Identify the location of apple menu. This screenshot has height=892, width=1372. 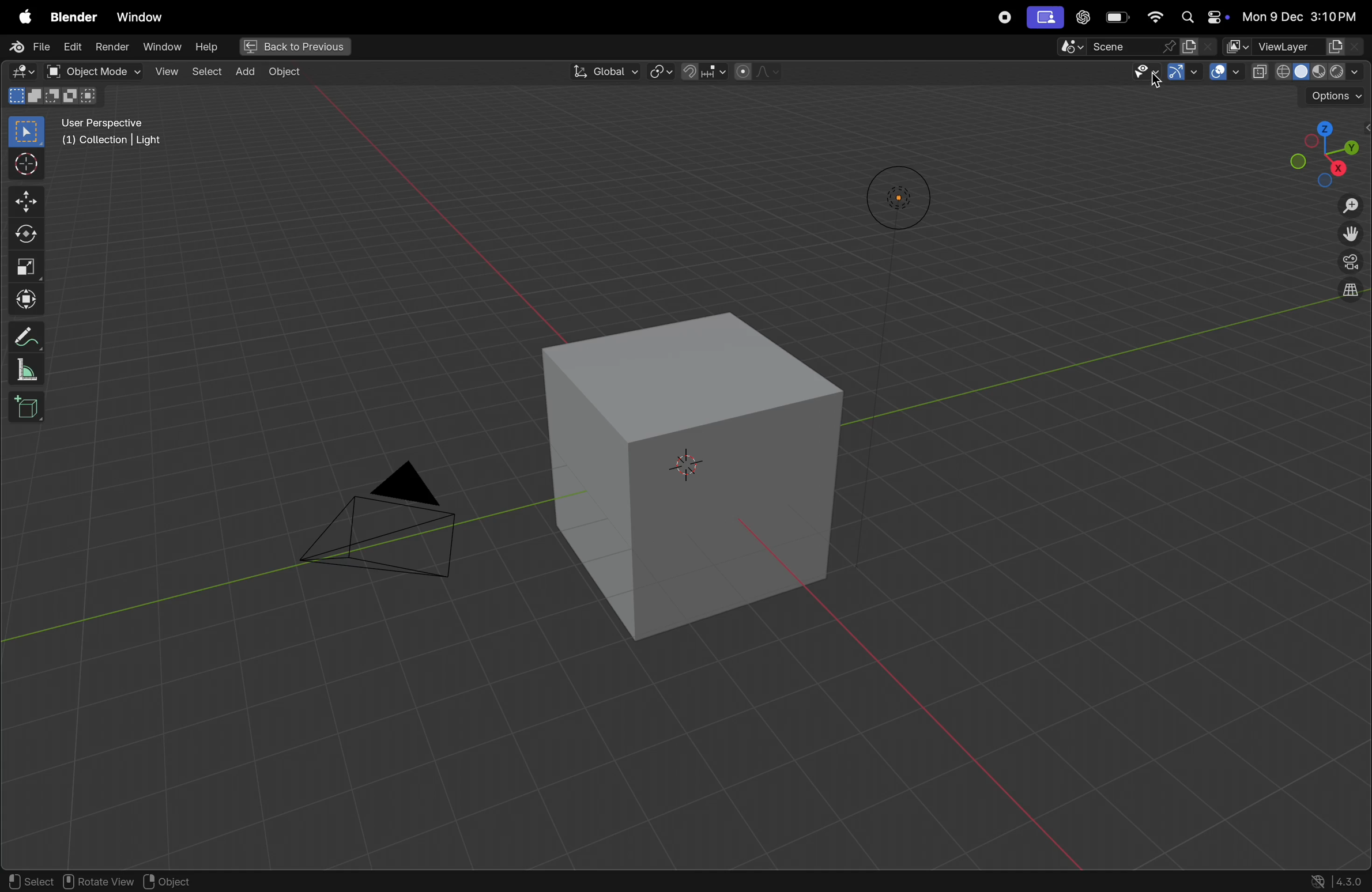
(21, 18).